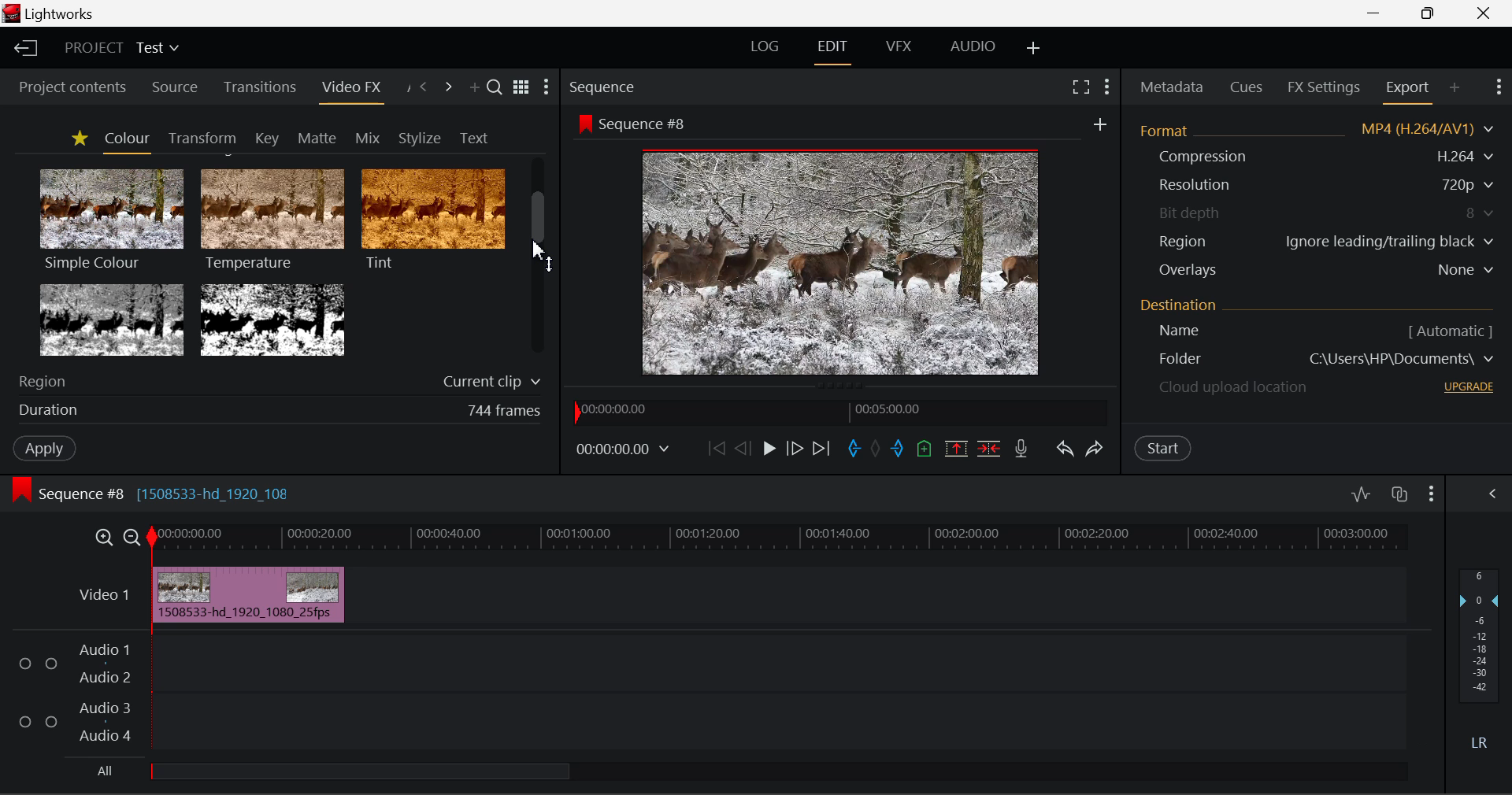 The height and width of the screenshot is (795, 1512). What do you see at coordinates (134, 537) in the screenshot?
I see `Timeline Zoom Out` at bounding box center [134, 537].